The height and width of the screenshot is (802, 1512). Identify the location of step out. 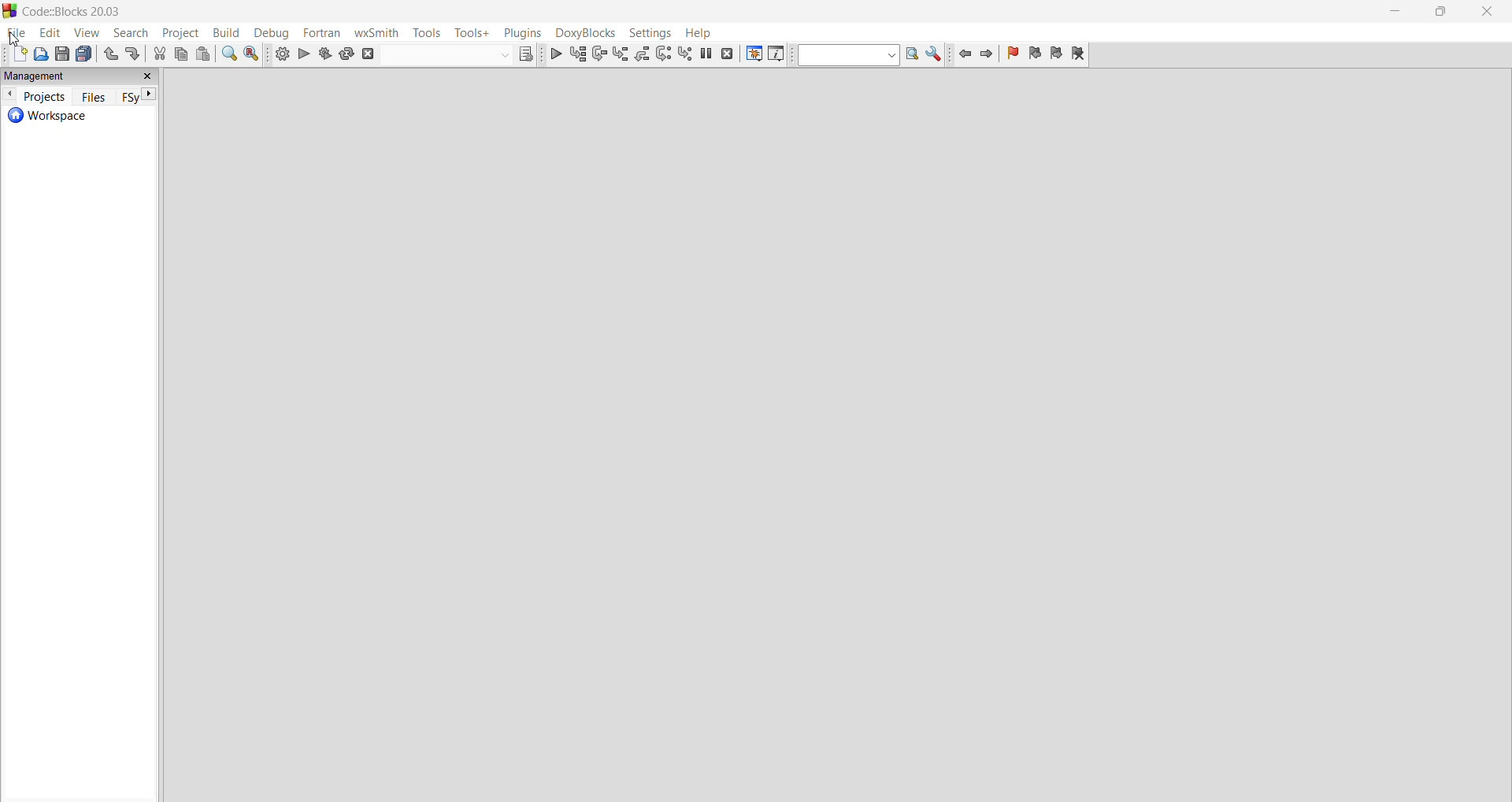
(644, 55).